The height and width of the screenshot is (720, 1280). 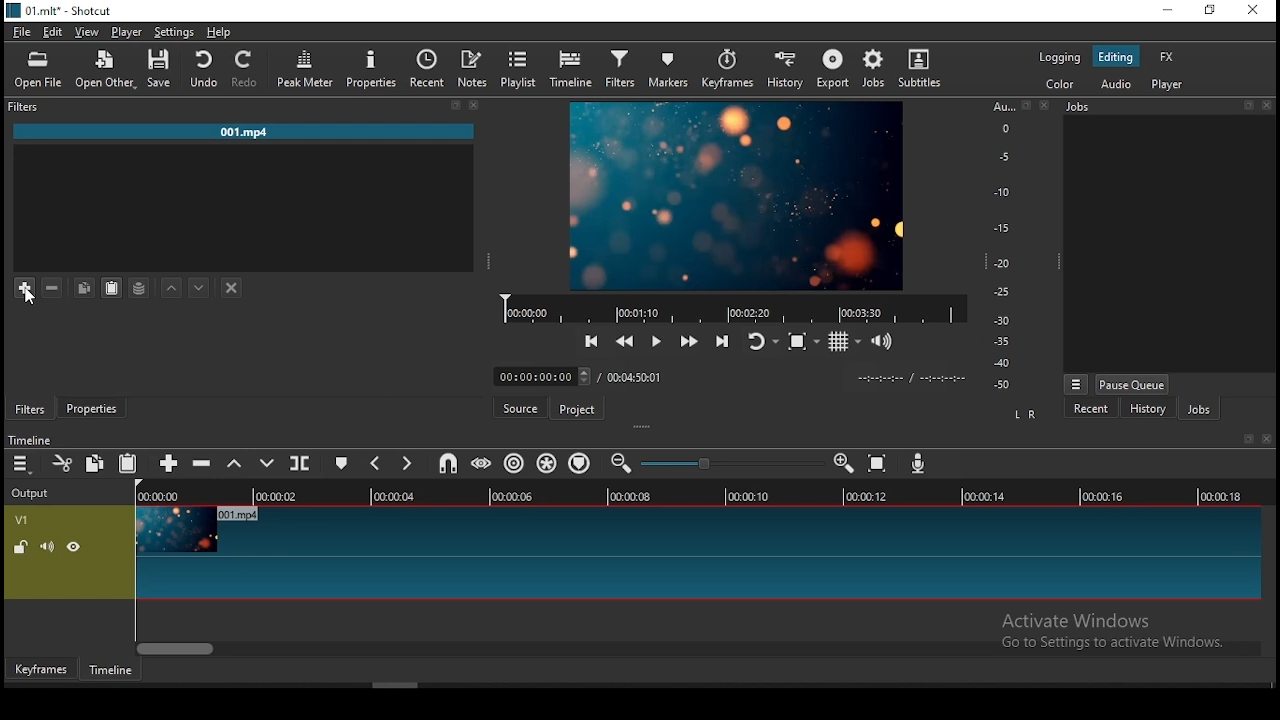 What do you see at coordinates (24, 288) in the screenshot?
I see `add filter` at bounding box center [24, 288].